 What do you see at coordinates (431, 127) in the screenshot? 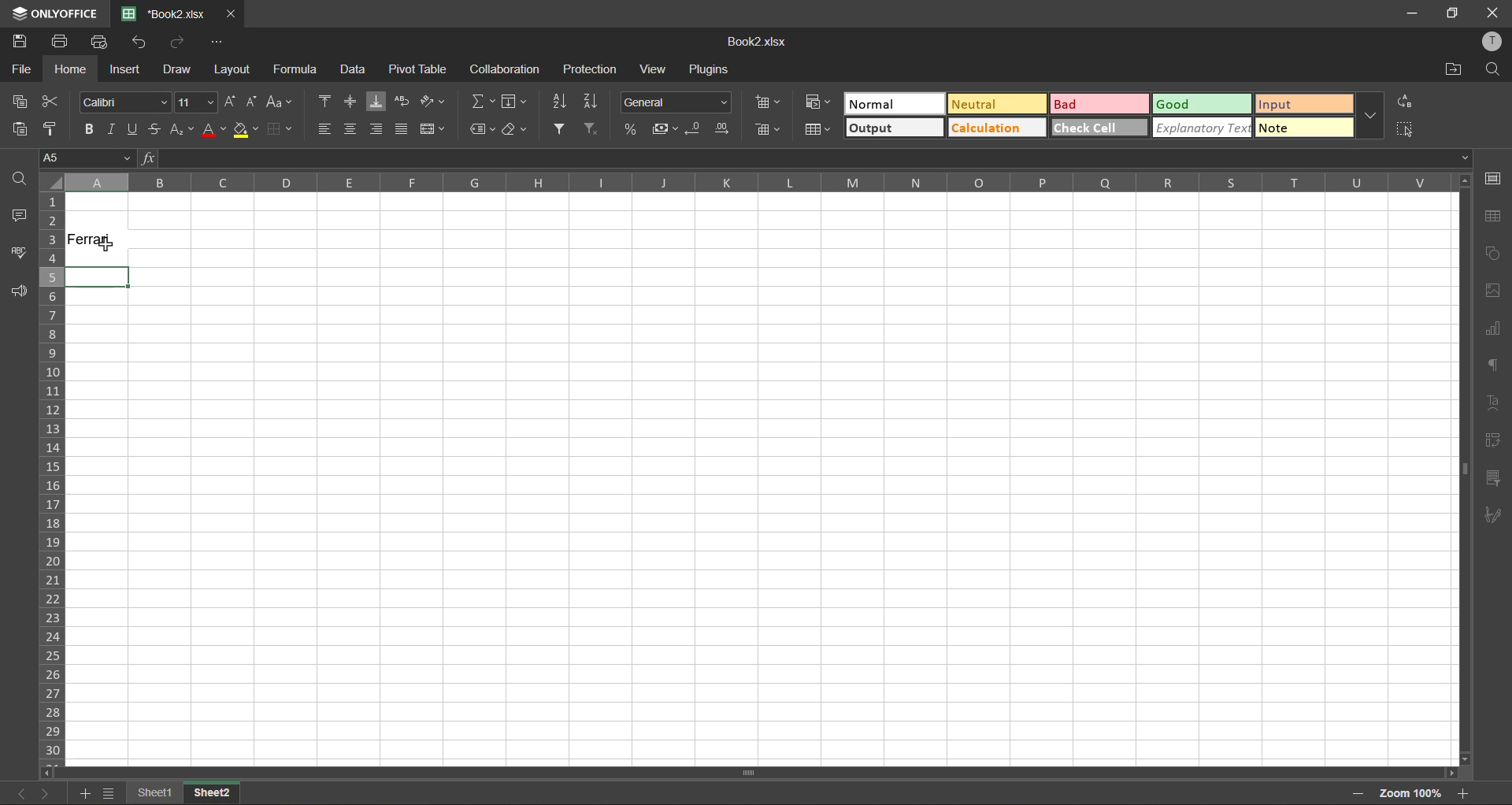
I see `merge and center` at bounding box center [431, 127].